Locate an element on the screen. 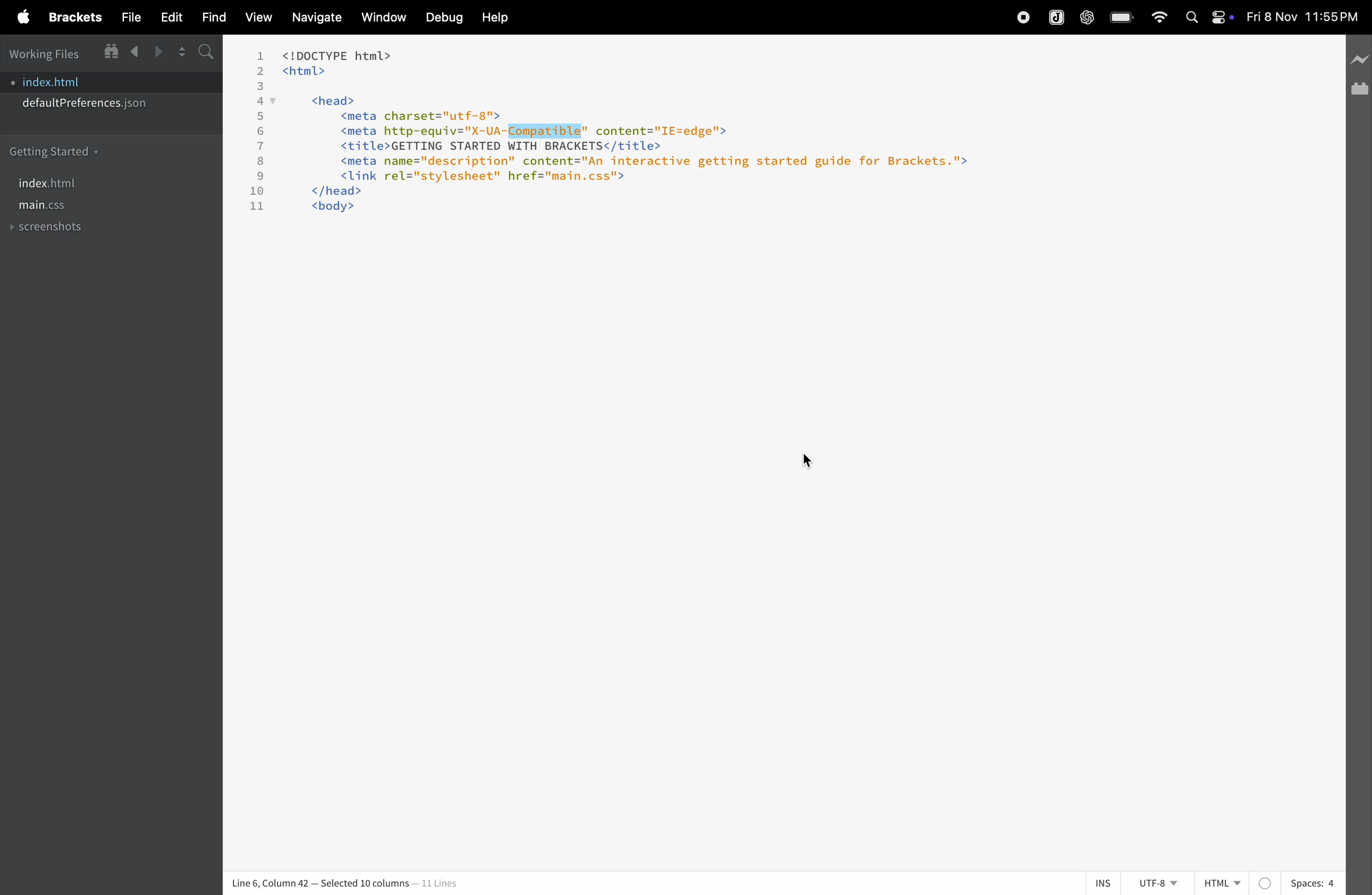 This screenshot has width=1372, height=895. edit is located at coordinates (169, 18).